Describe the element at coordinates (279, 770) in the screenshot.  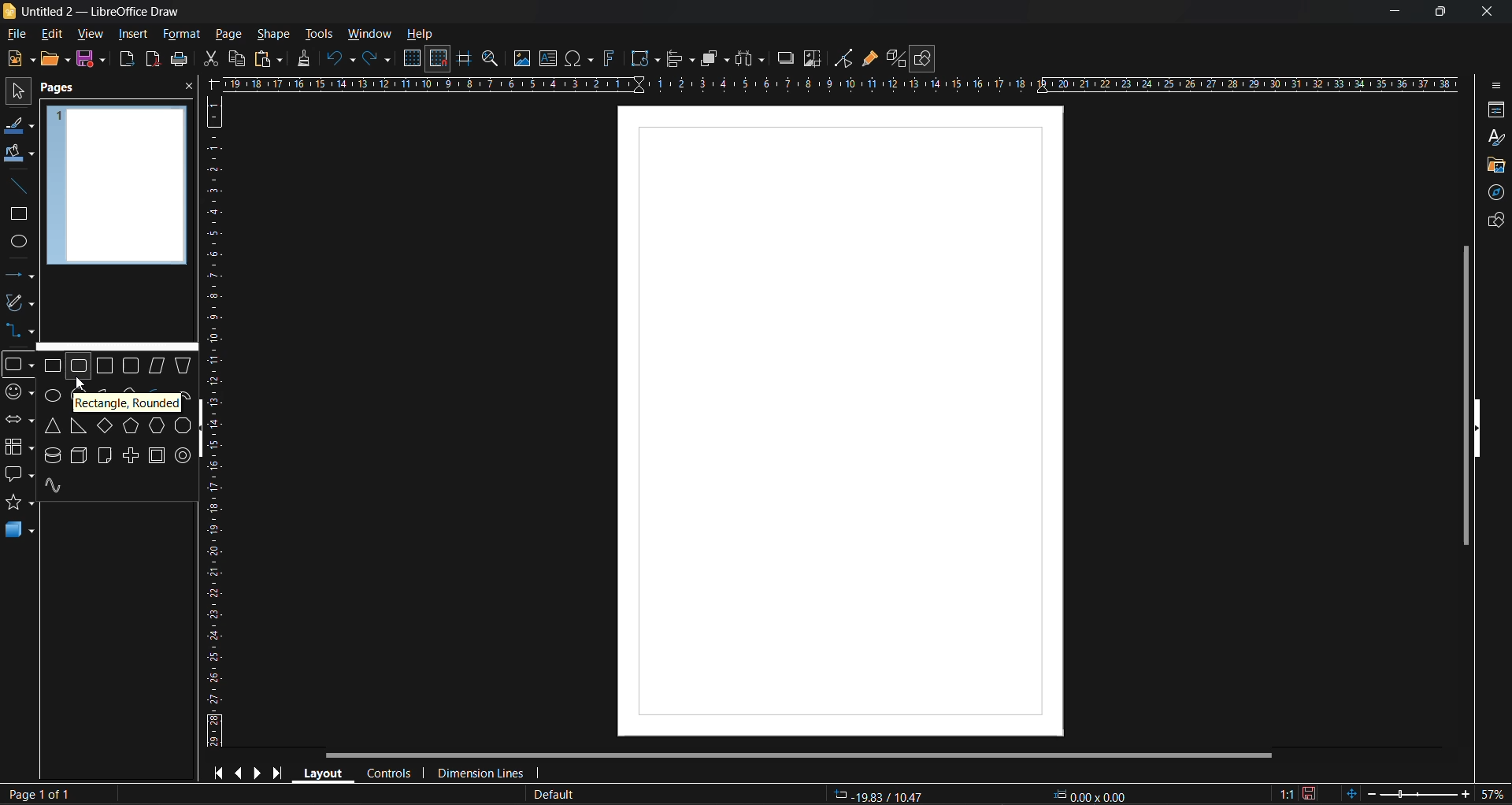
I see `last` at that location.